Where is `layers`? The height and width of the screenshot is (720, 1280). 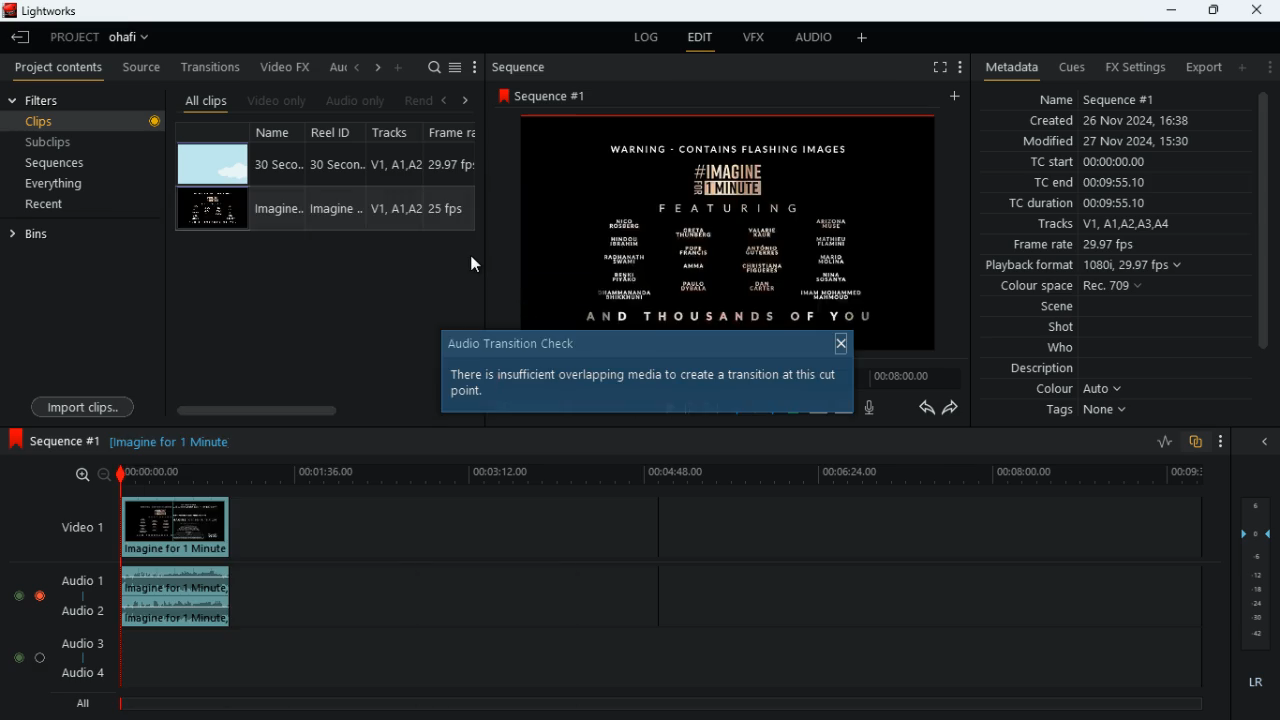 layers is located at coordinates (1259, 573).